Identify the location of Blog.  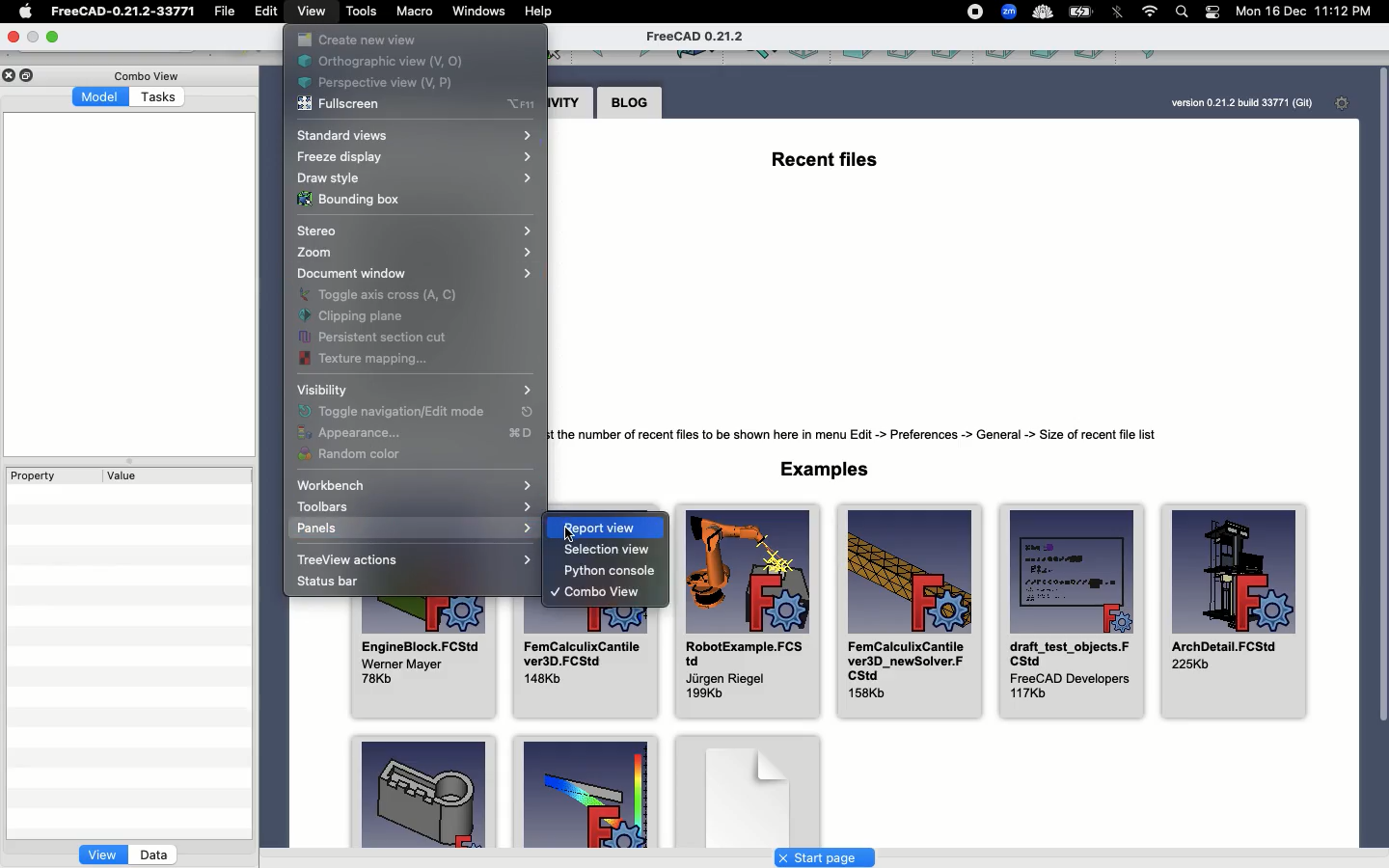
(630, 102).